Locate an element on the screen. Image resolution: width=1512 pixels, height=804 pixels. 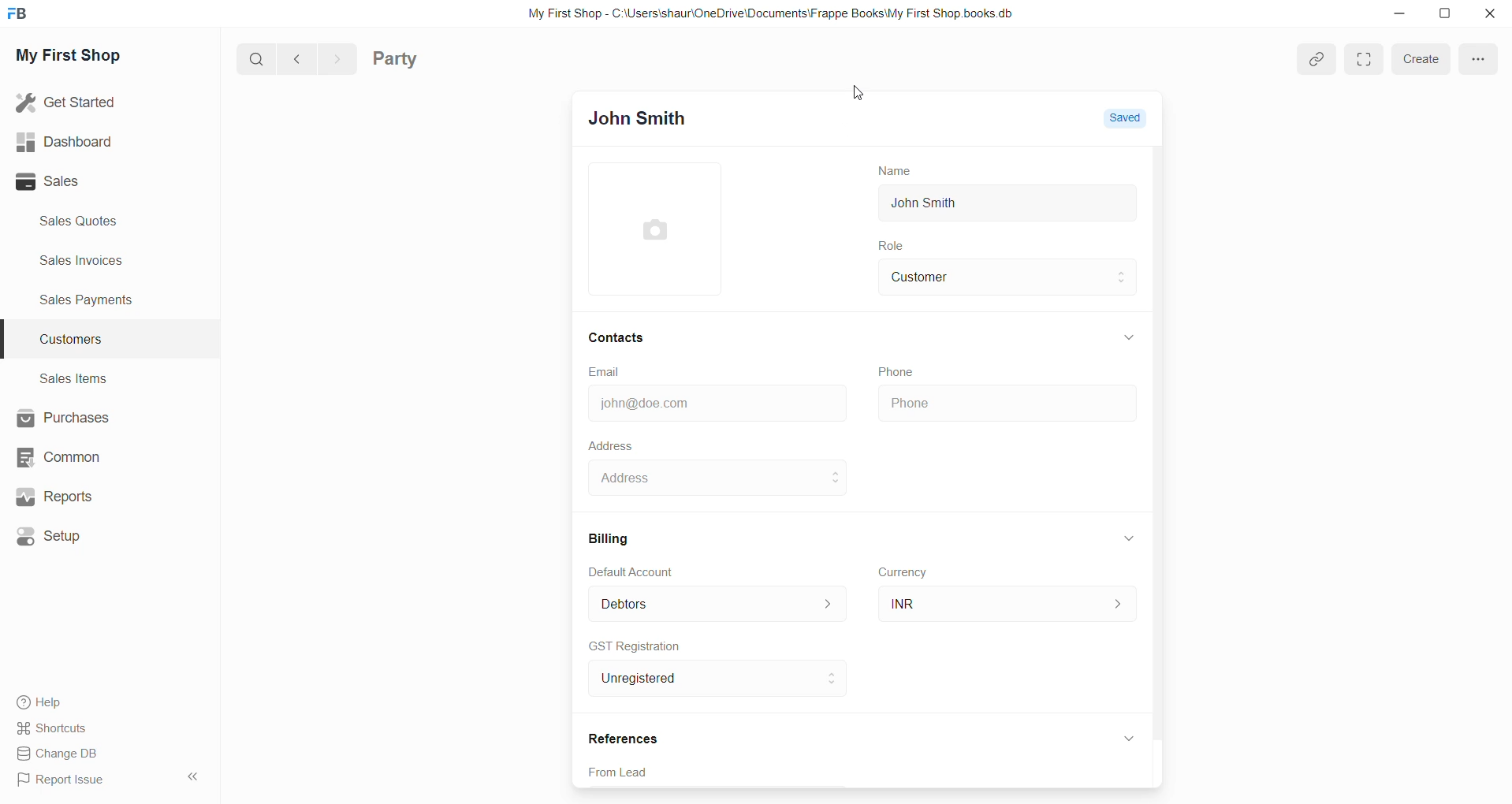
cursor is located at coordinates (863, 98).